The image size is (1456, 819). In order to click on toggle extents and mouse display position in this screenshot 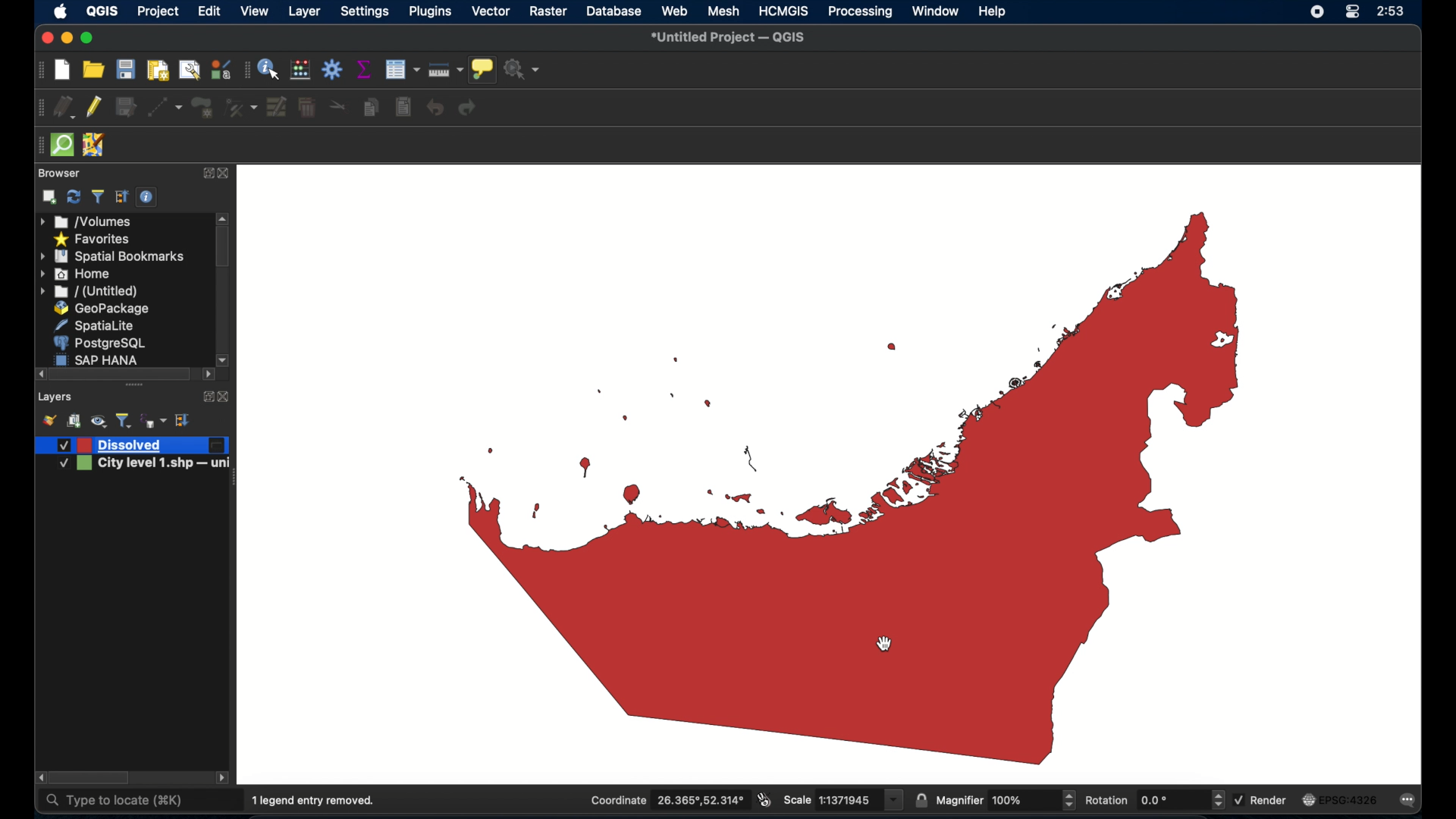, I will do `click(764, 799)`.